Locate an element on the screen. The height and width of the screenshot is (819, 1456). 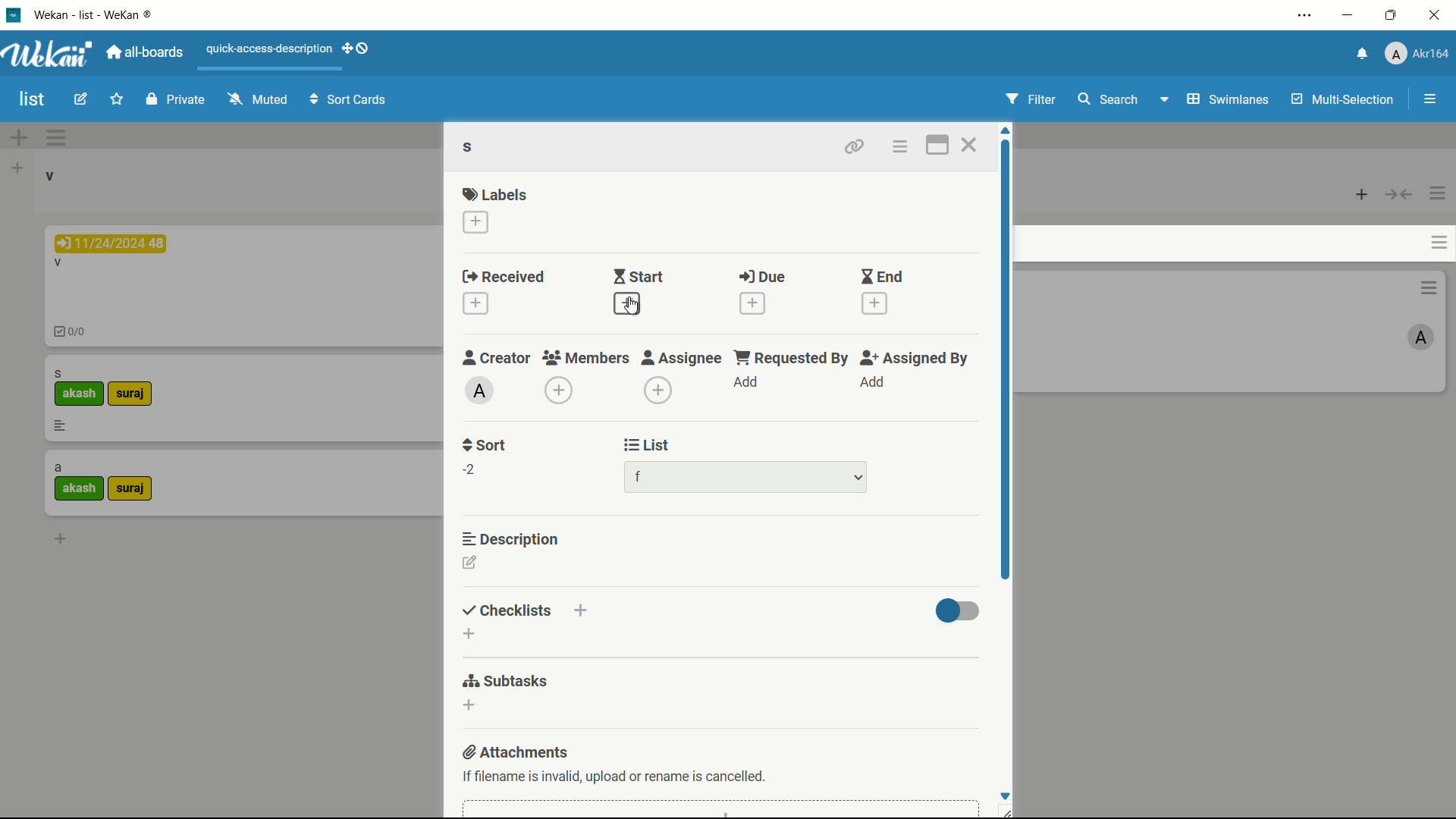
admin is located at coordinates (1420, 338).